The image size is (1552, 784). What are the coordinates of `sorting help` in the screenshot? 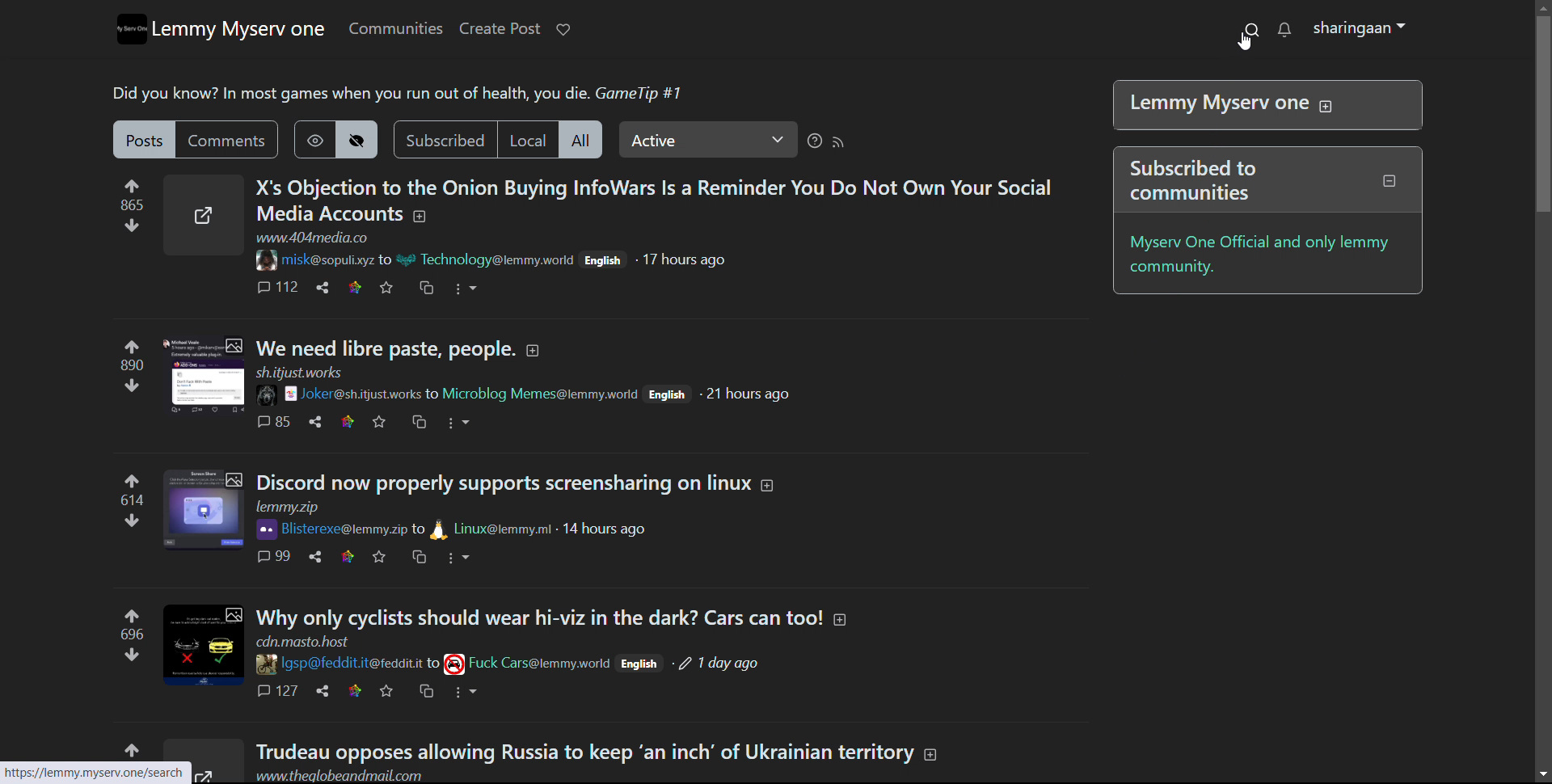 It's located at (813, 141).